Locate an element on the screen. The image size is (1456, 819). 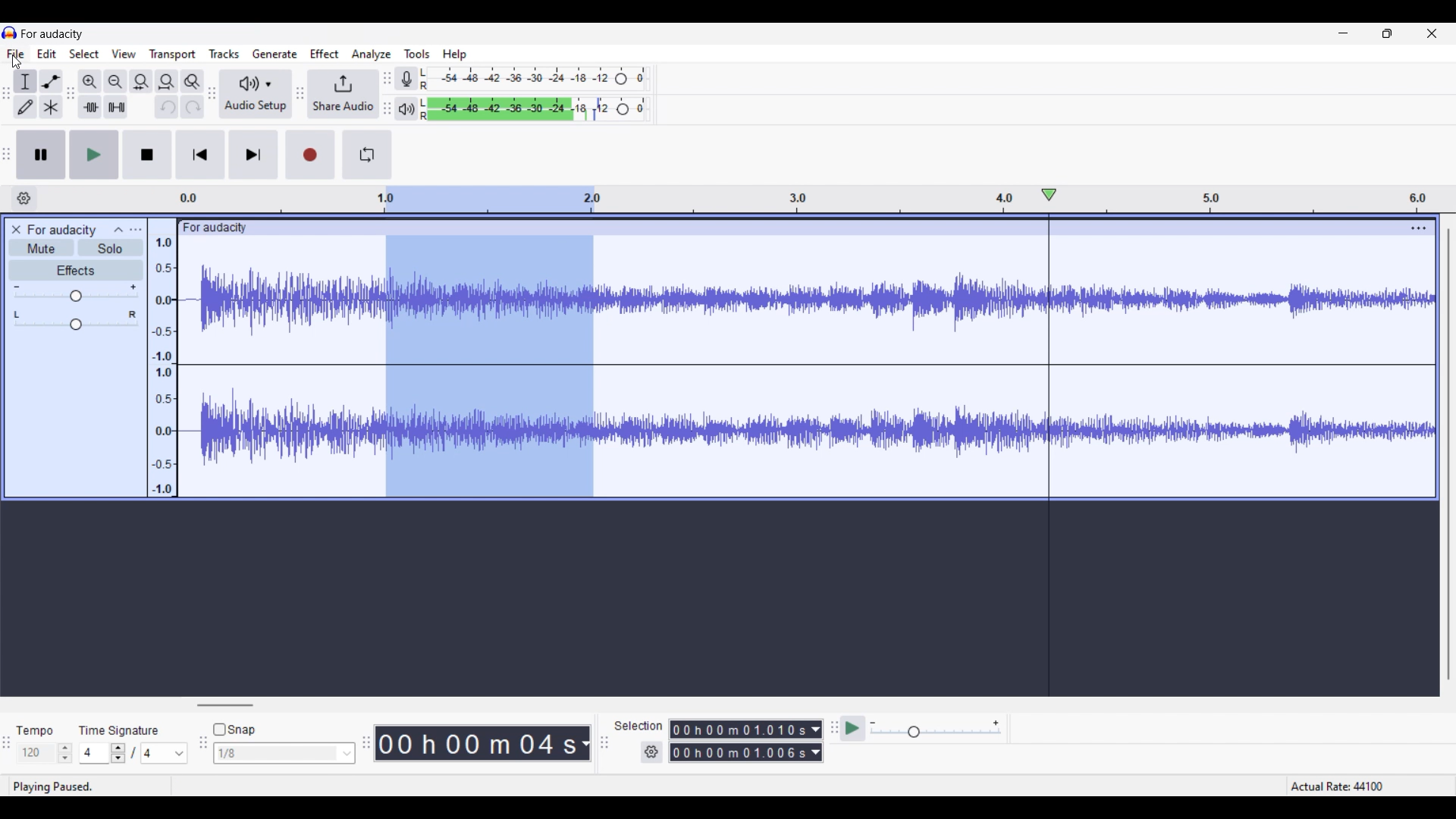
Stop is located at coordinates (148, 155).